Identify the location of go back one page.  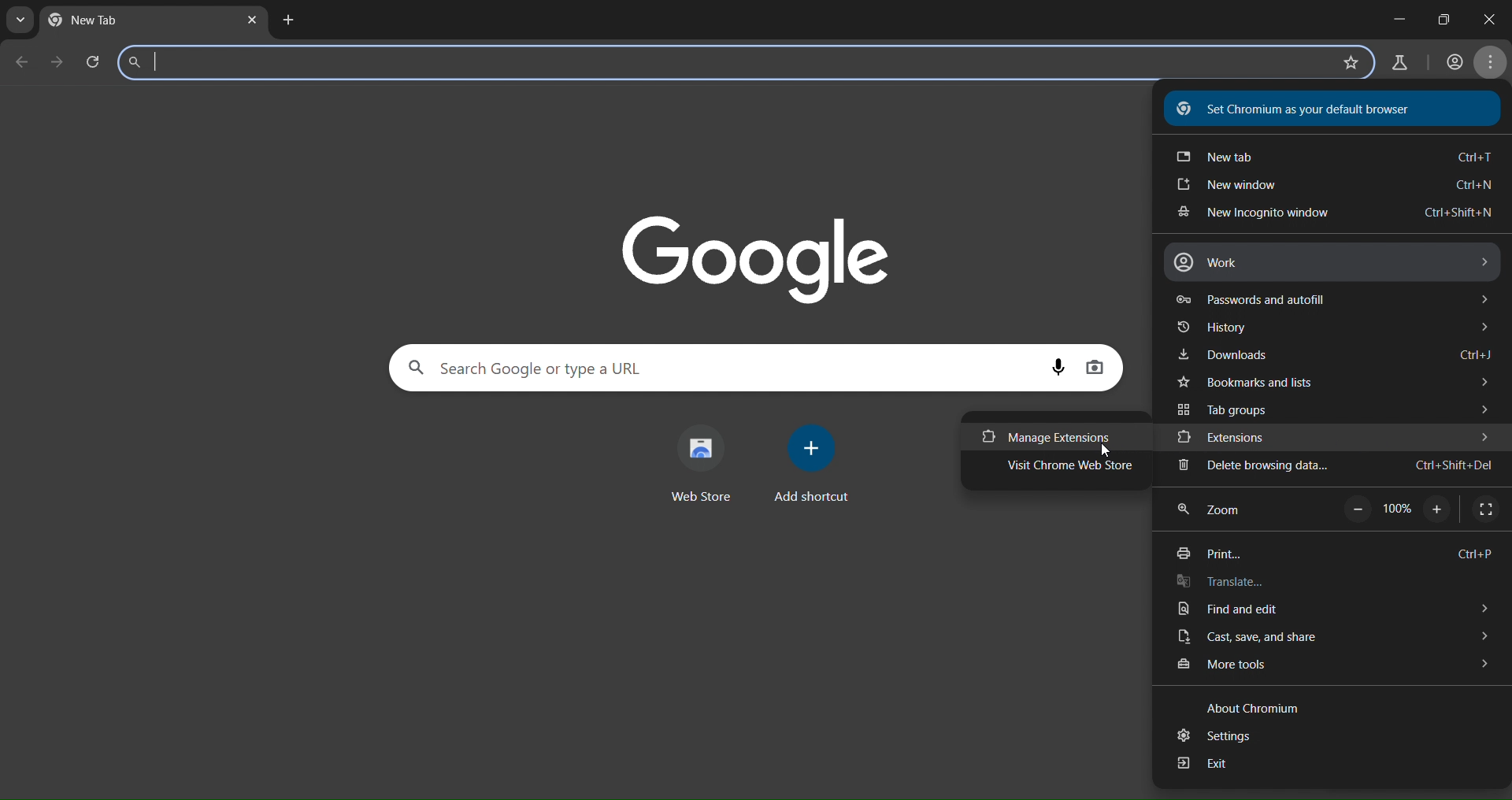
(20, 61).